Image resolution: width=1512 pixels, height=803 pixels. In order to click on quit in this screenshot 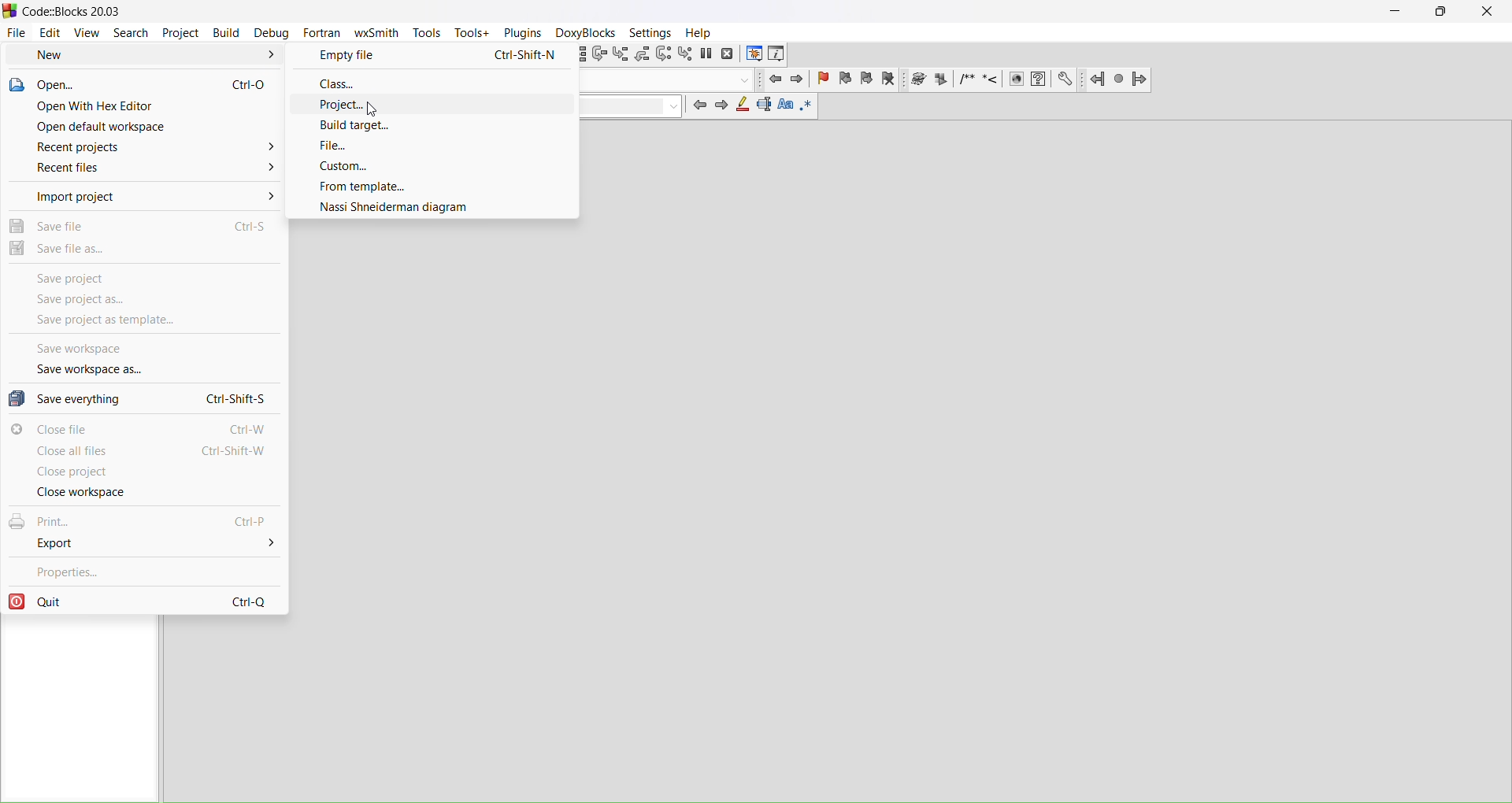, I will do `click(145, 601)`.